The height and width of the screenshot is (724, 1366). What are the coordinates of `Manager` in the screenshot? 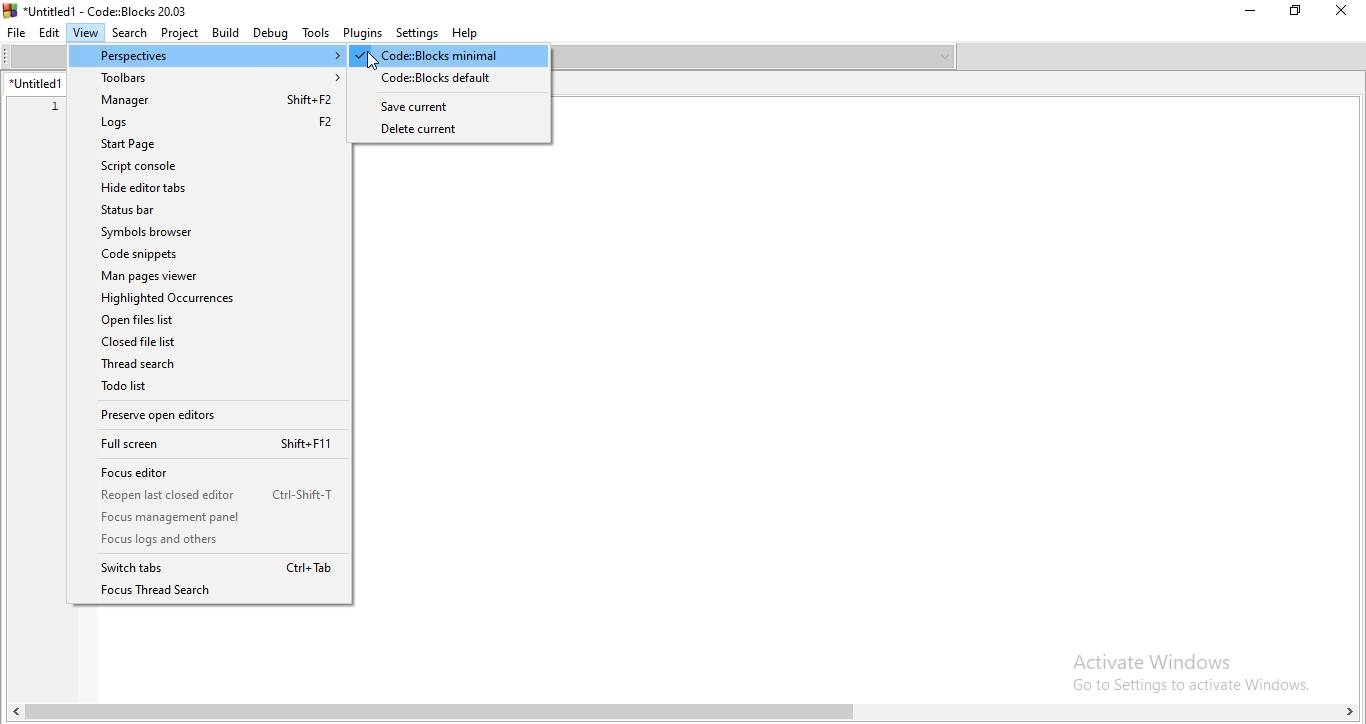 It's located at (209, 100).